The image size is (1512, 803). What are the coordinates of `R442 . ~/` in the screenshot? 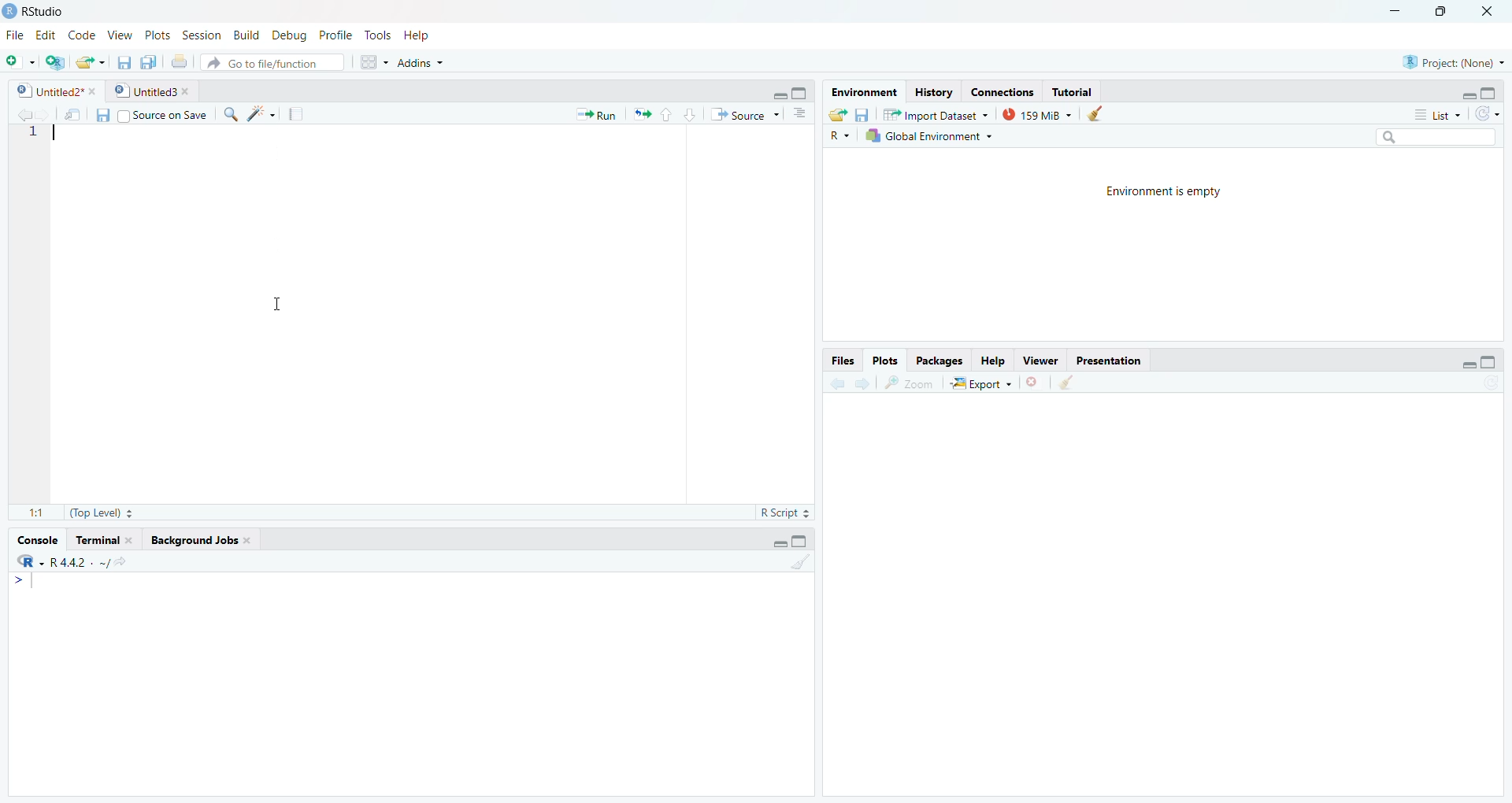 It's located at (80, 562).